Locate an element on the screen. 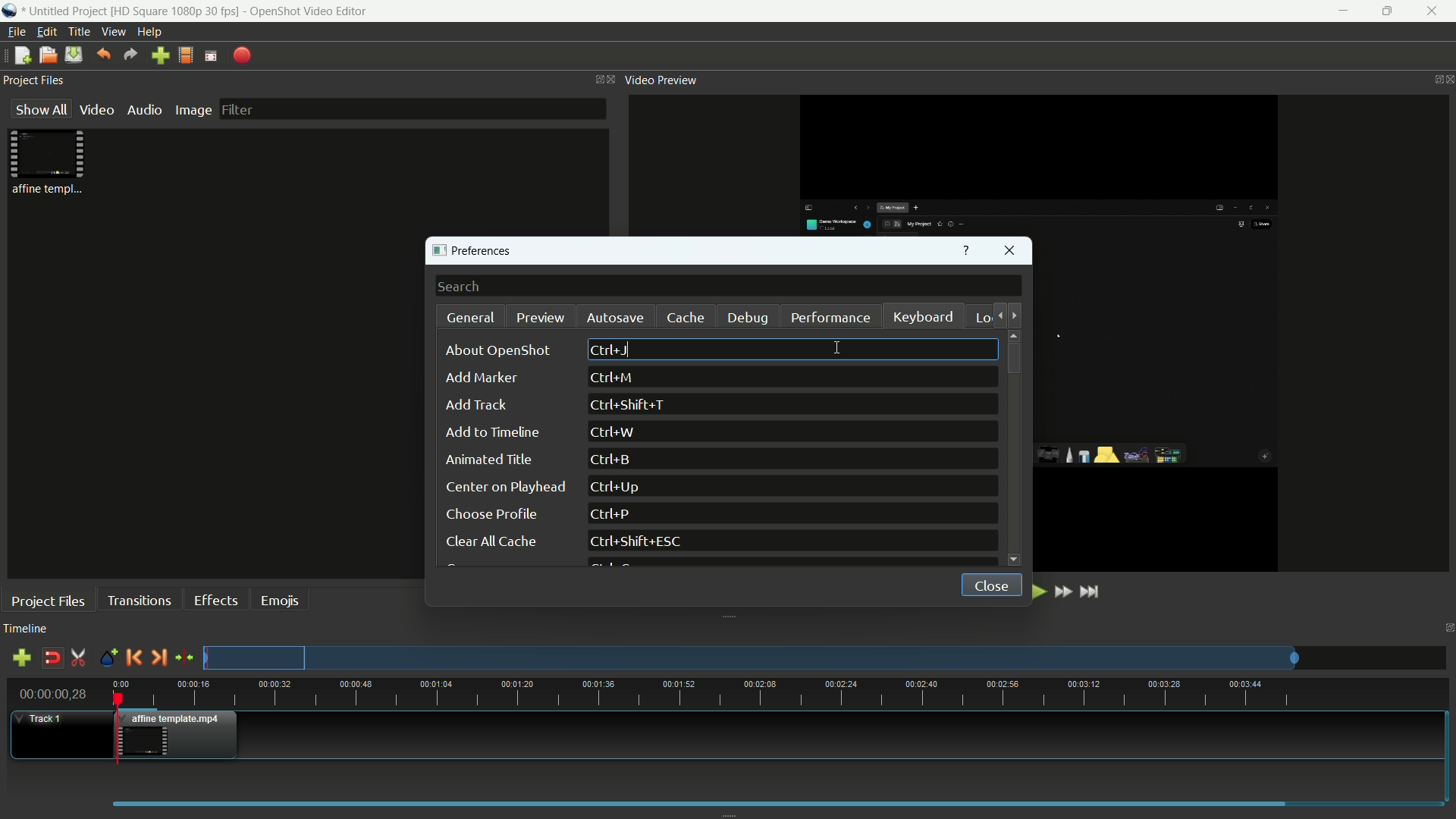  app icon is located at coordinates (11, 12).